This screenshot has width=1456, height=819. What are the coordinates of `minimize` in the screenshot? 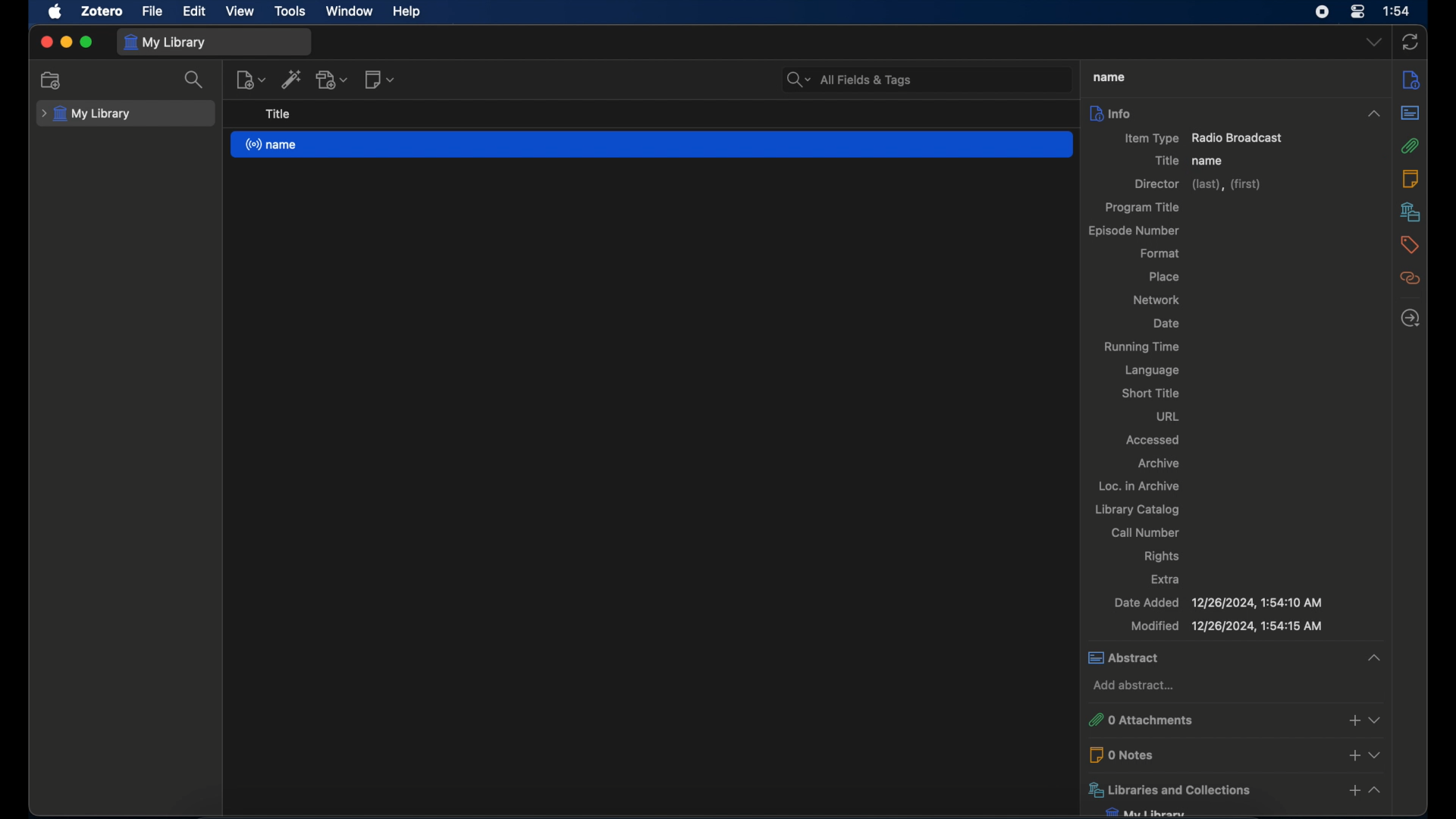 It's located at (67, 42).